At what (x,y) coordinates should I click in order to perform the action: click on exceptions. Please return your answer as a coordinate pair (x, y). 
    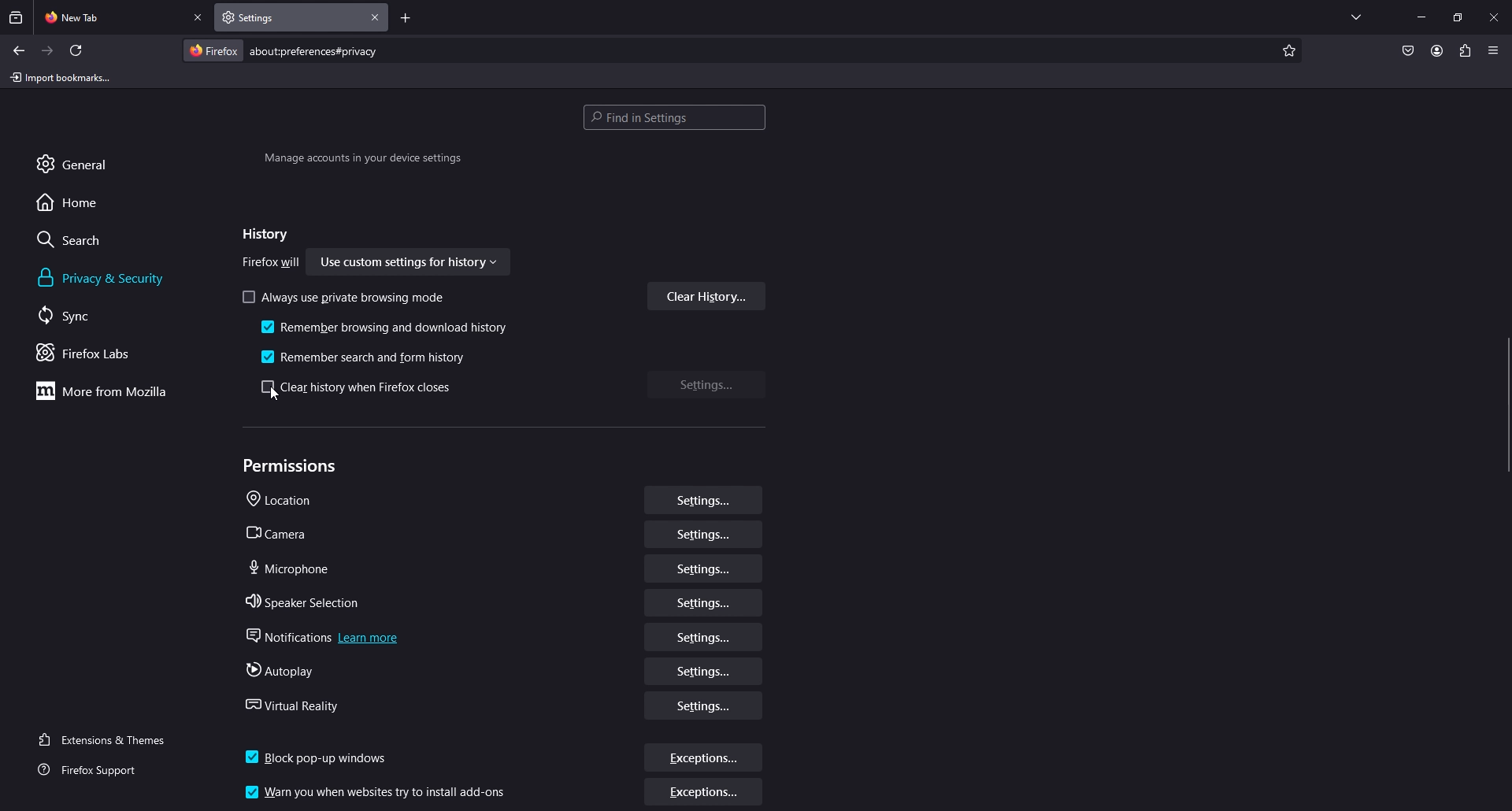
    Looking at the image, I should click on (704, 758).